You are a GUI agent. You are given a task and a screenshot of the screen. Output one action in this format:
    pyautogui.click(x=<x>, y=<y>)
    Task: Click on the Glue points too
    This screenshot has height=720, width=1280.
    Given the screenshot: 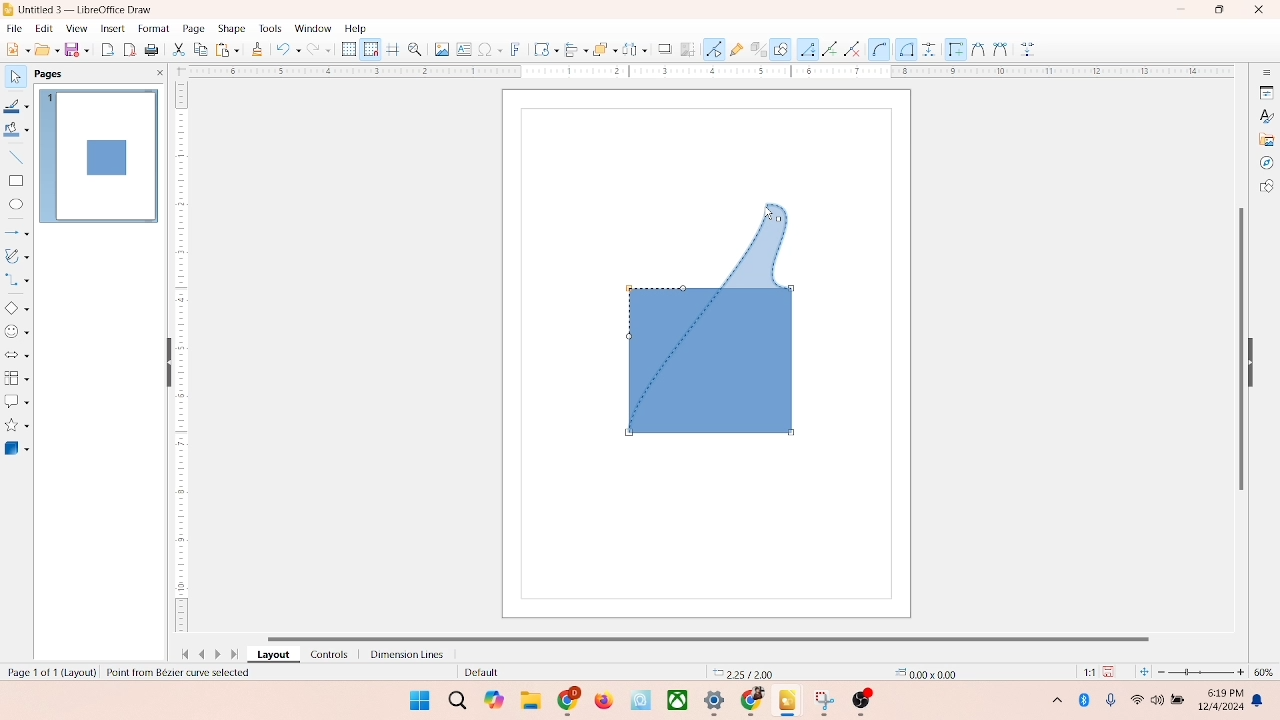 What is the action you would take?
    pyautogui.click(x=1029, y=50)
    